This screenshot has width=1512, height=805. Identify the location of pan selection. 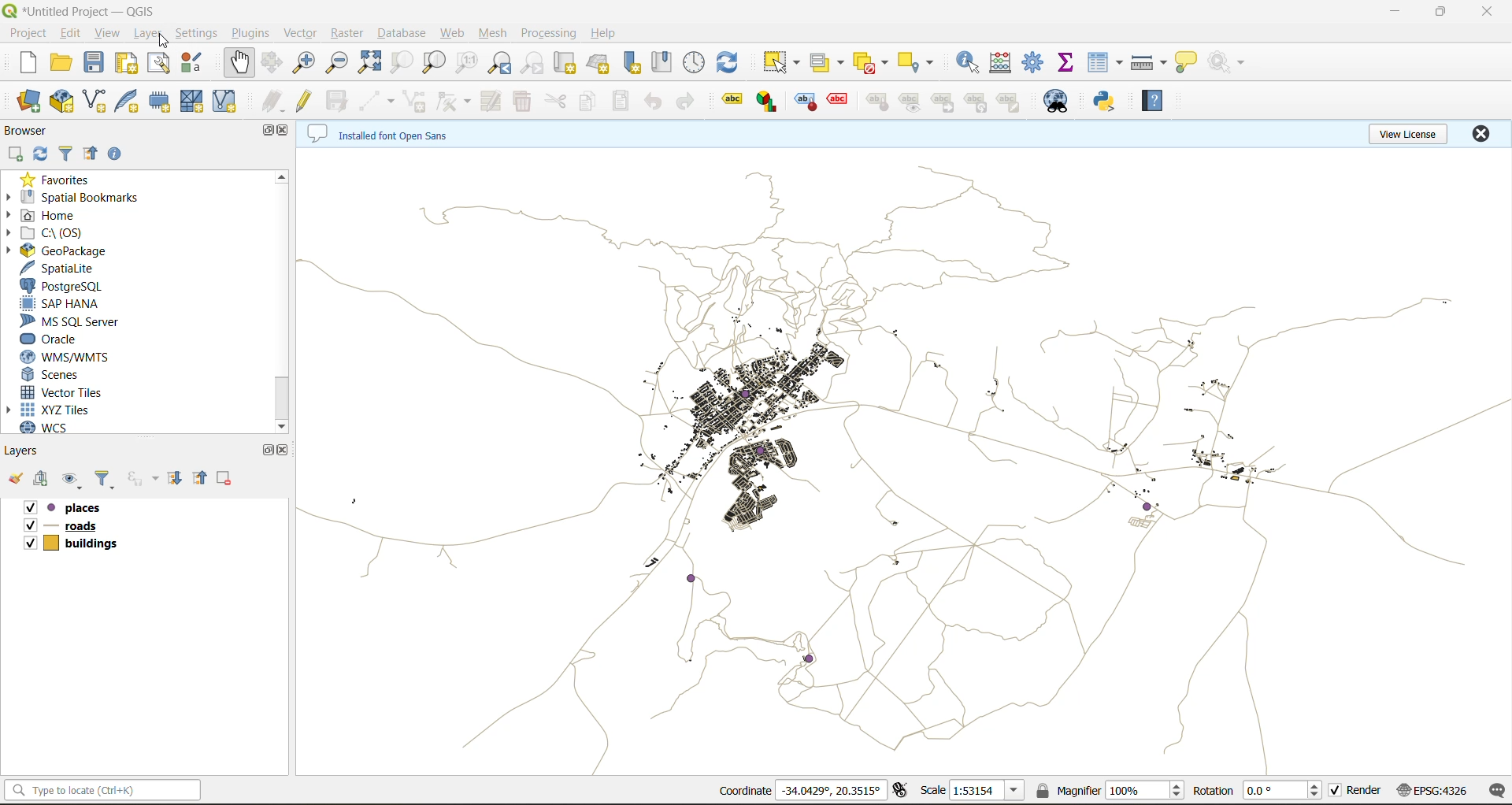
(273, 62).